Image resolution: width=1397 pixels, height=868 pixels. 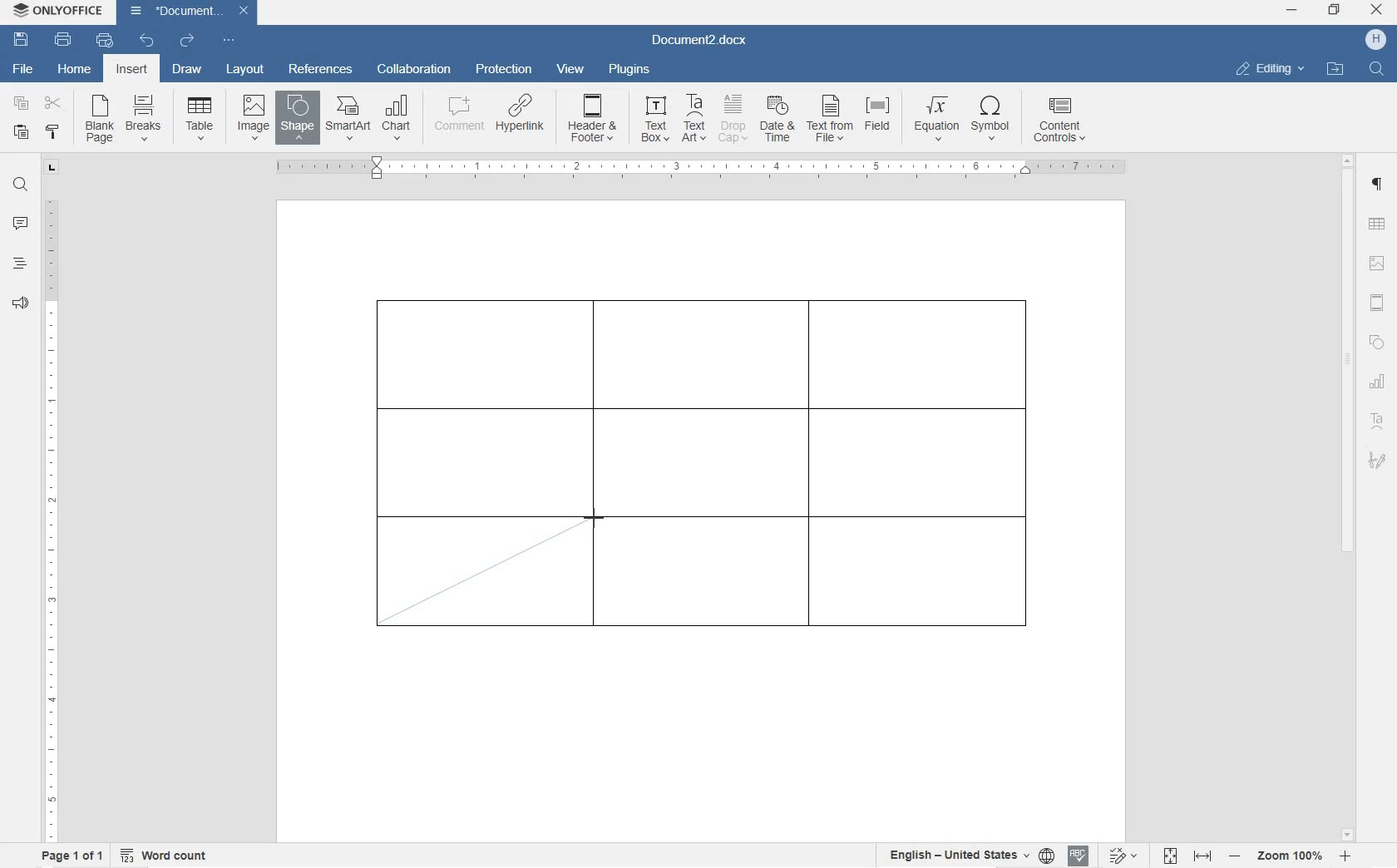 I want to click on HP, so click(x=1375, y=40).